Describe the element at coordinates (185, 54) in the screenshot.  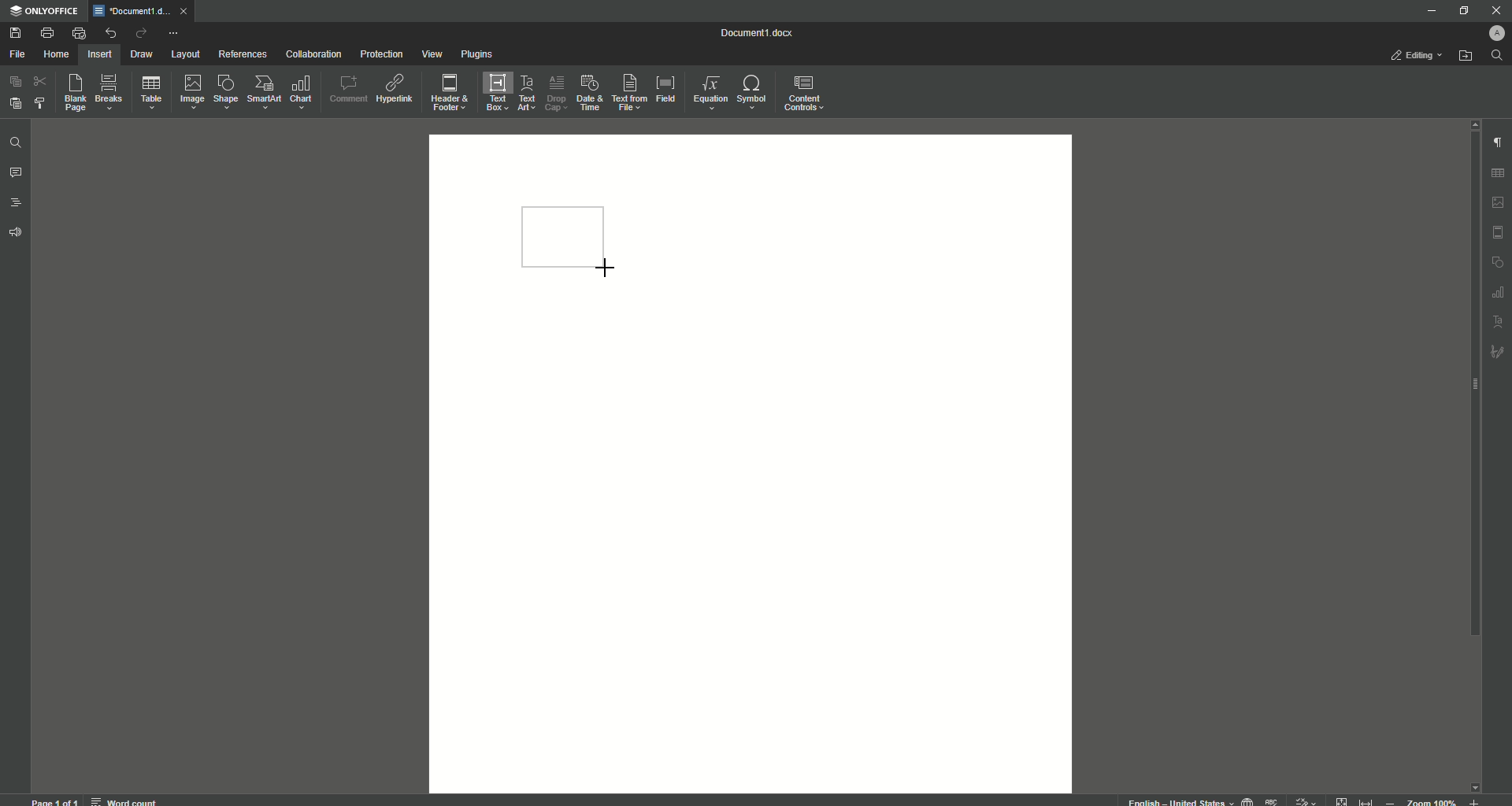
I see `Layout` at that location.